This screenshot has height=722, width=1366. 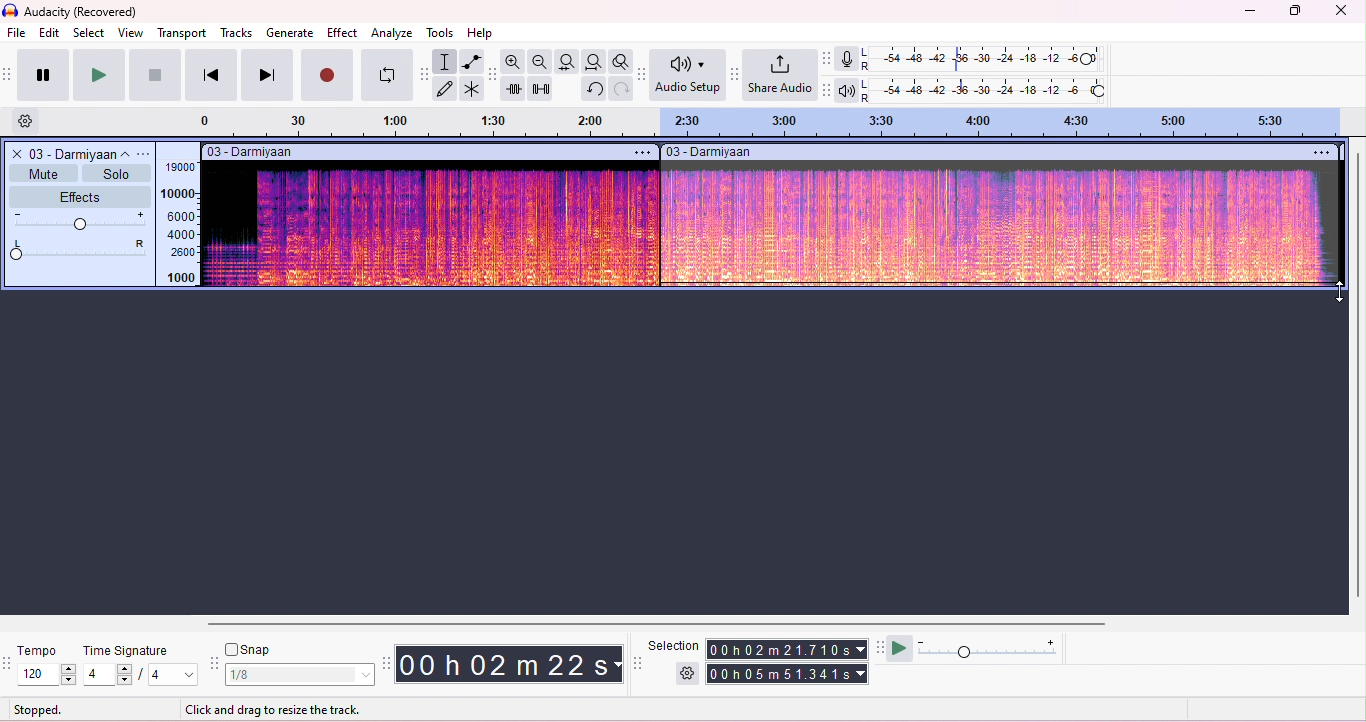 What do you see at coordinates (541, 61) in the screenshot?
I see `zoom out` at bounding box center [541, 61].